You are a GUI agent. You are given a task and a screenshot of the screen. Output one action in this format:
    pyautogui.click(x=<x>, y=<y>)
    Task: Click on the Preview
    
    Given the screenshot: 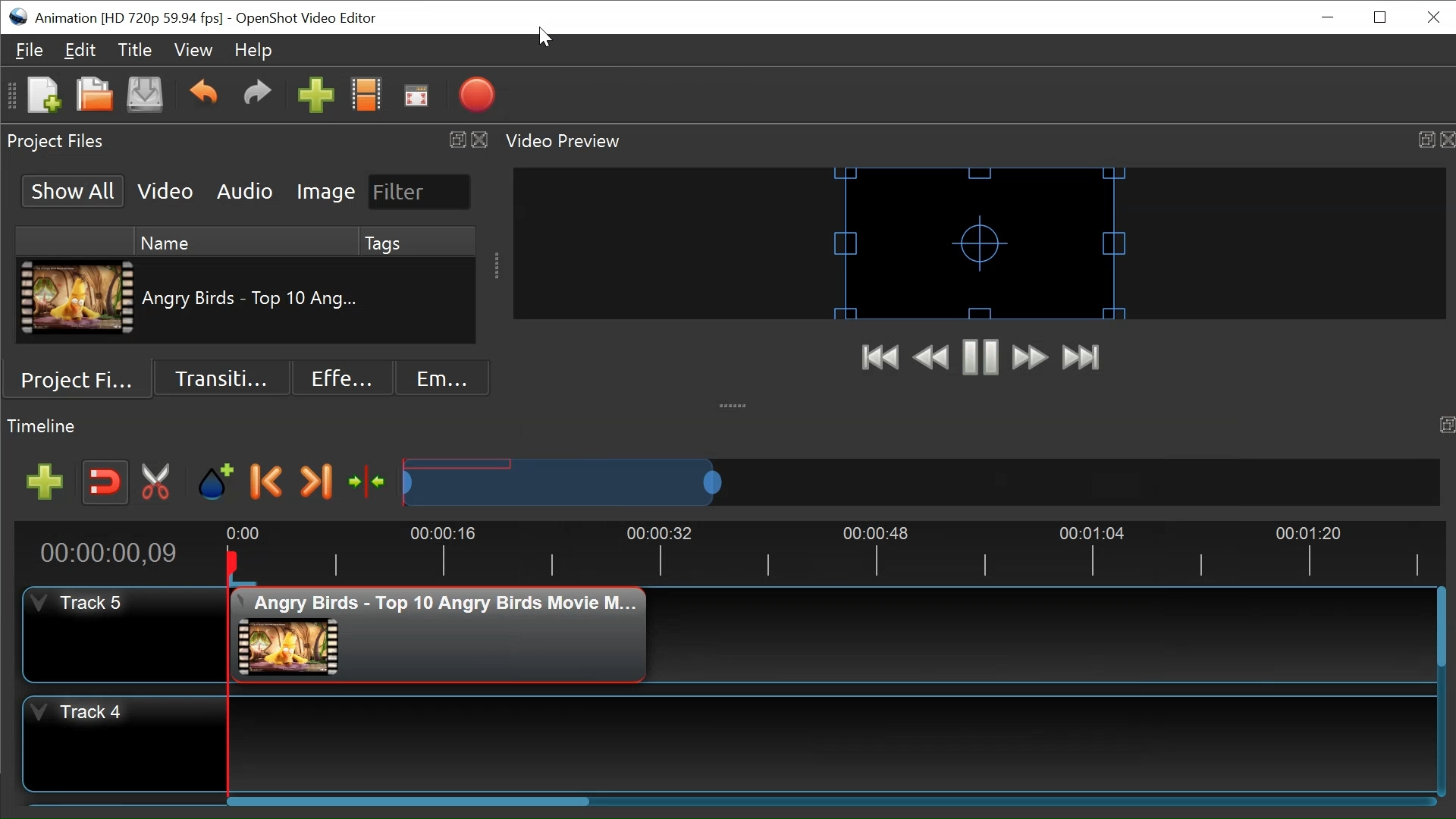 What is the action you would take?
    pyautogui.click(x=930, y=359)
    